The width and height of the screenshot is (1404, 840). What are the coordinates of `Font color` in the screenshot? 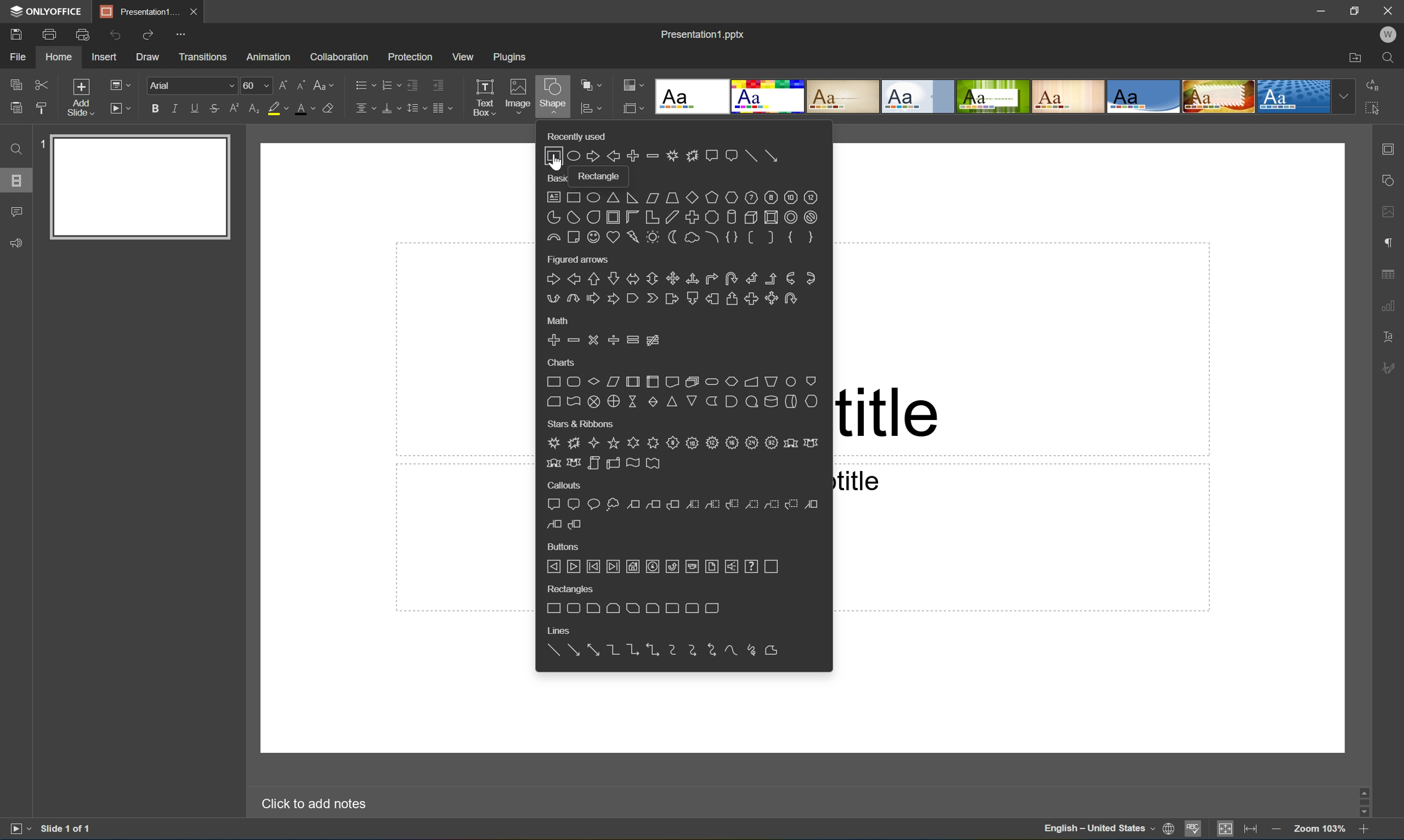 It's located at (307, 110).